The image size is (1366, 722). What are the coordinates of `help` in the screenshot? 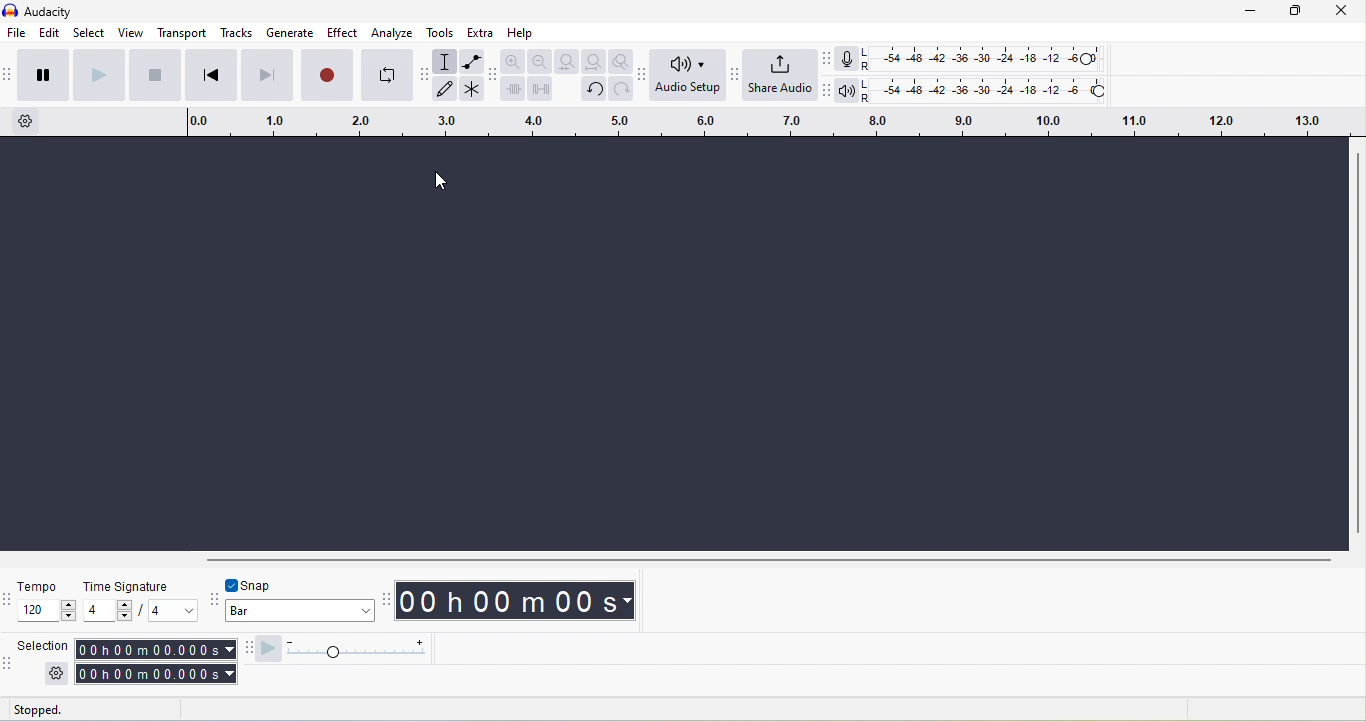 It's located at (521, 33).